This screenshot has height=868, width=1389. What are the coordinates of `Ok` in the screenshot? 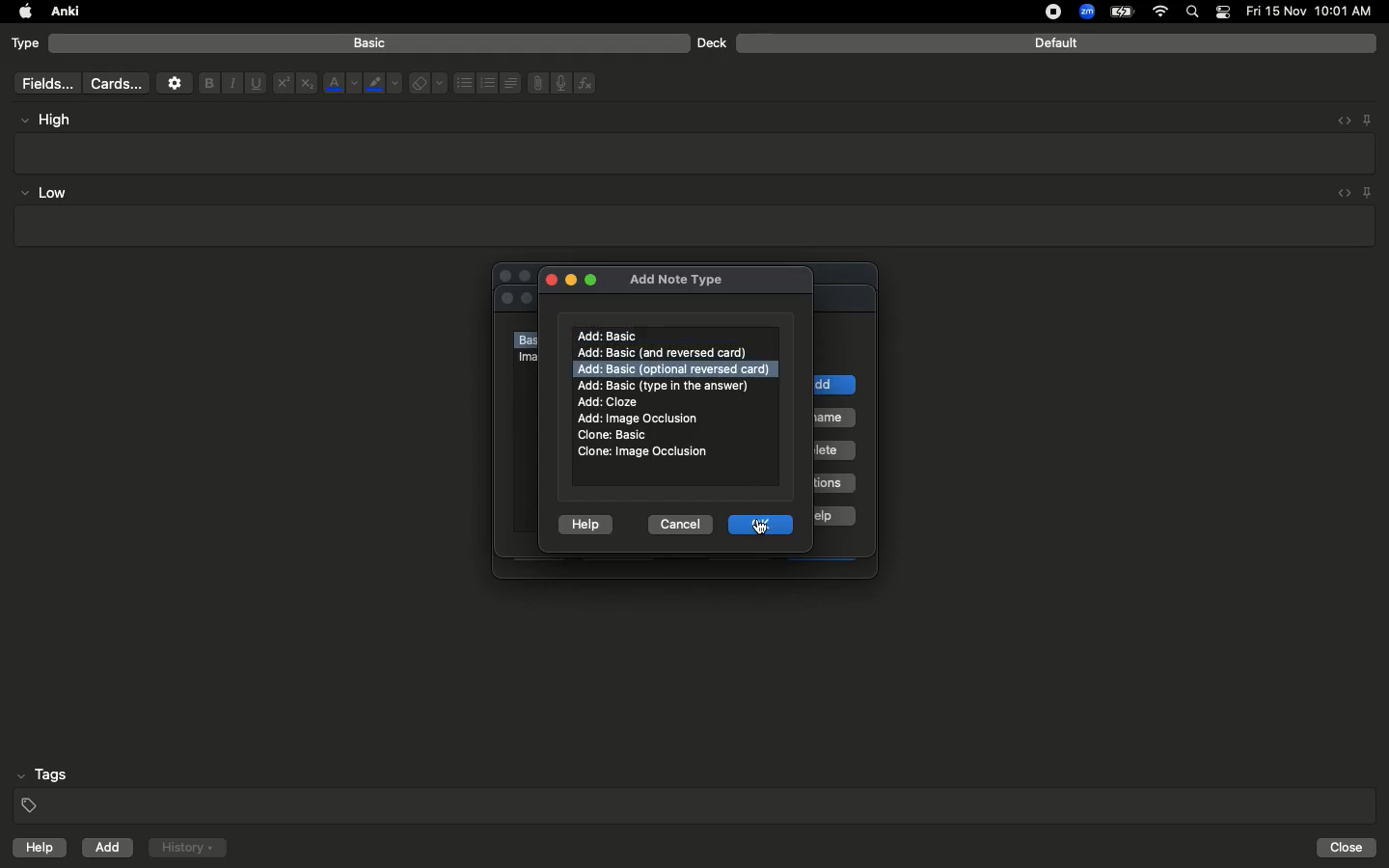 It's located at (764, 524).